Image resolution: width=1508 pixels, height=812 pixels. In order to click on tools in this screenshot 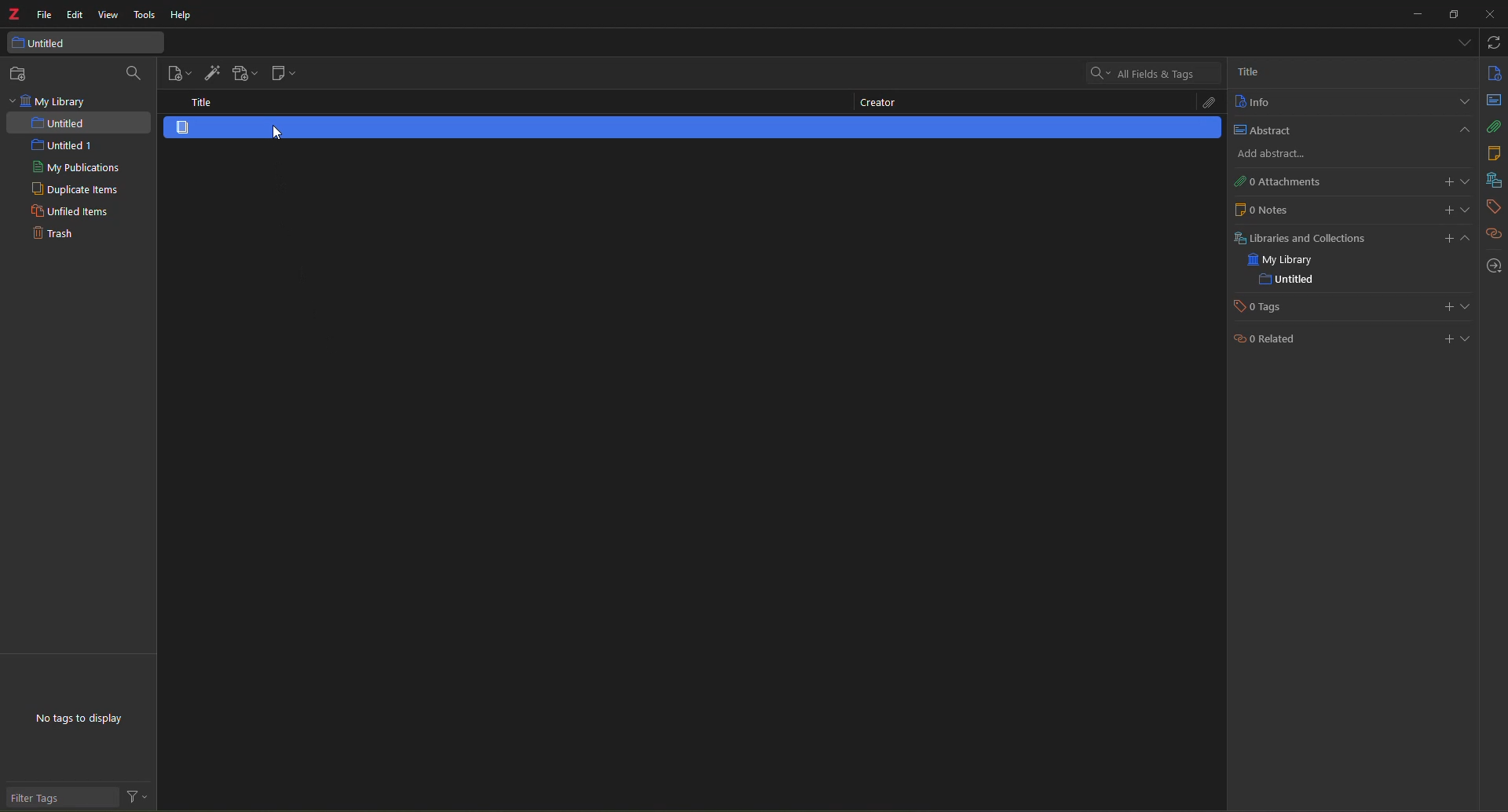, I will do `click(144, 16)`.